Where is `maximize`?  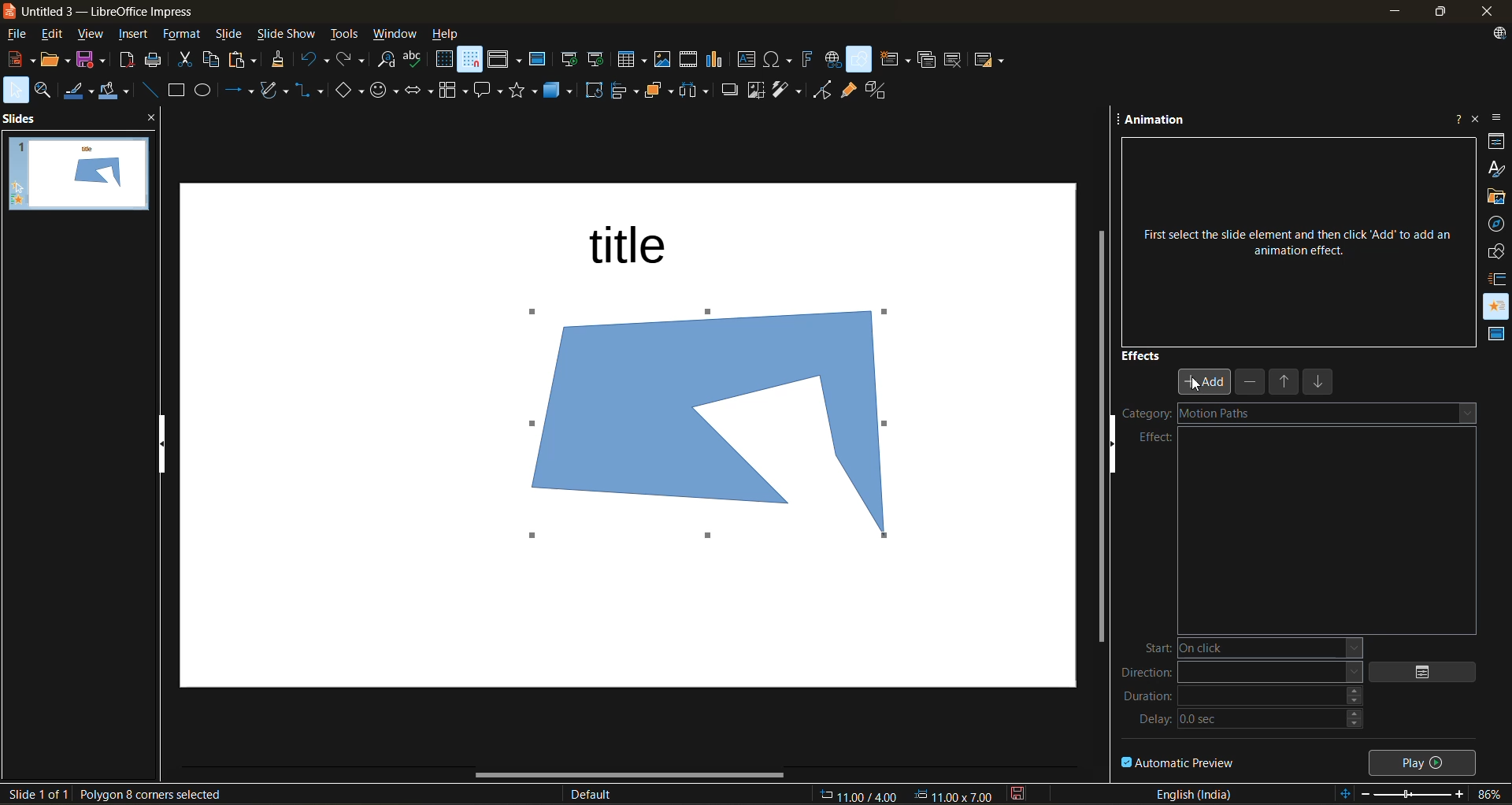 maximize is located at coordinates (1435, 13).